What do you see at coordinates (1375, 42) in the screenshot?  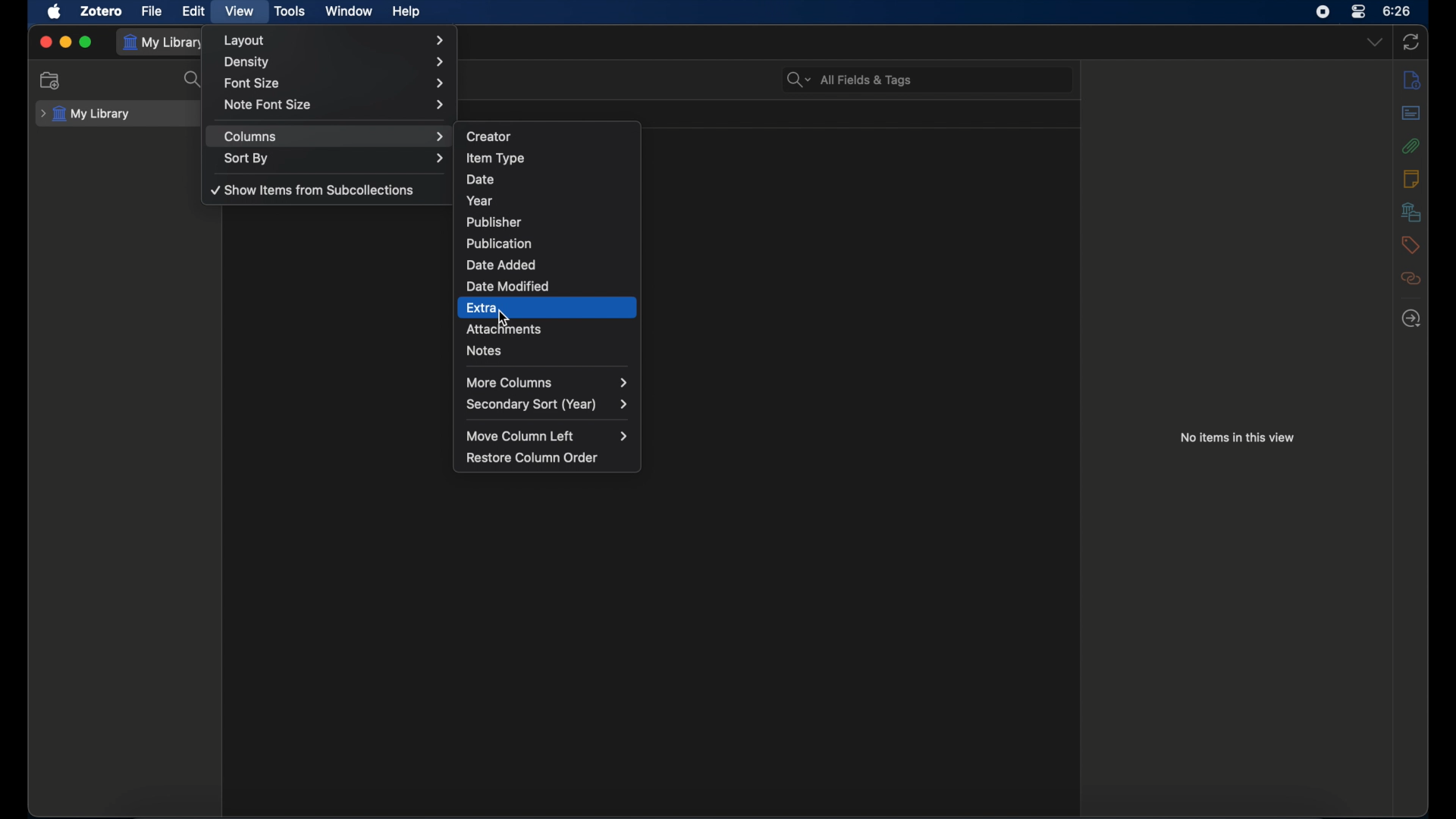 I see `dropdown` at bounding box center [1375, 42].